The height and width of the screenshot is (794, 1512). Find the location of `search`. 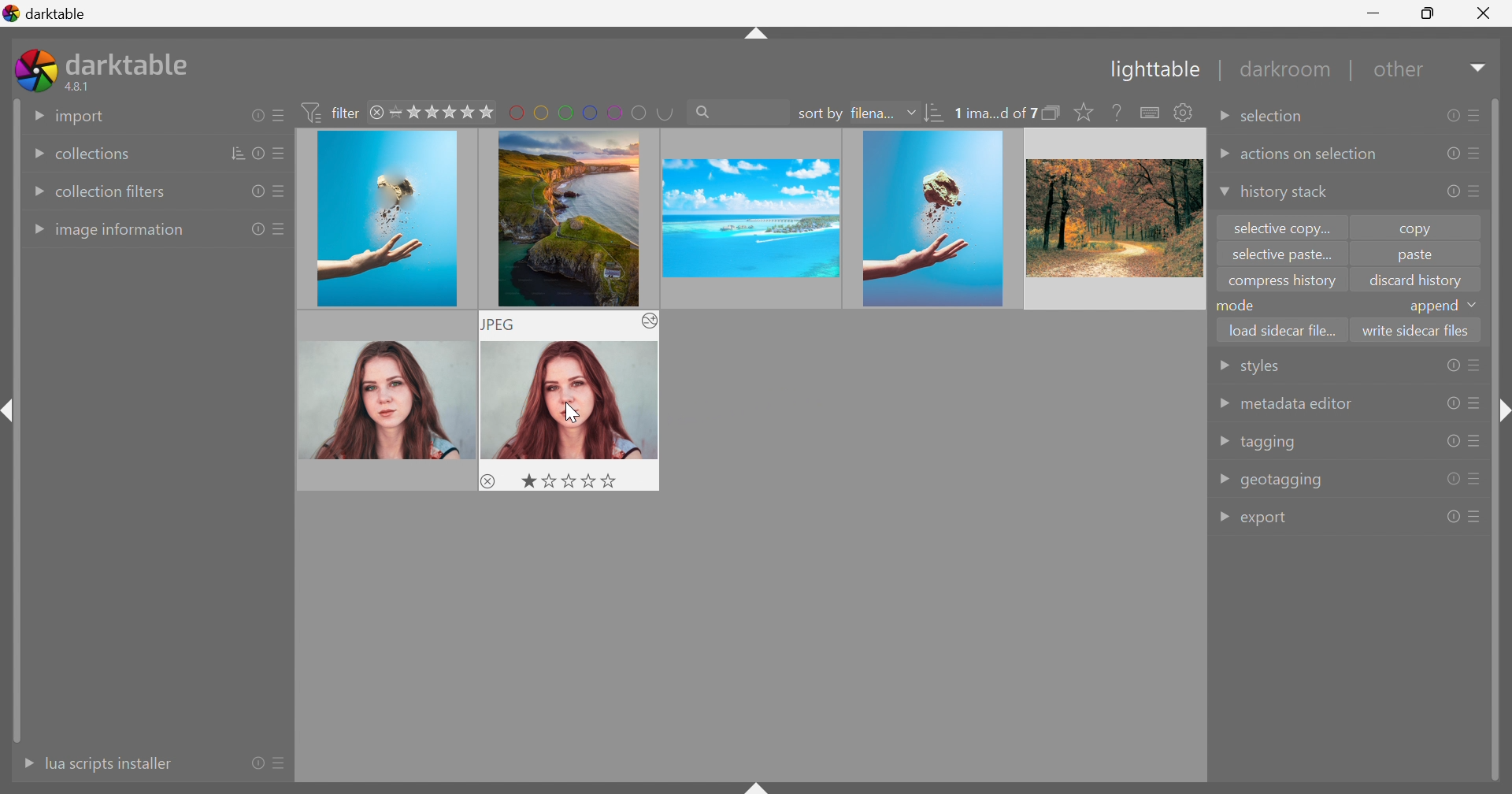

search is located at coordinates (736, 110).